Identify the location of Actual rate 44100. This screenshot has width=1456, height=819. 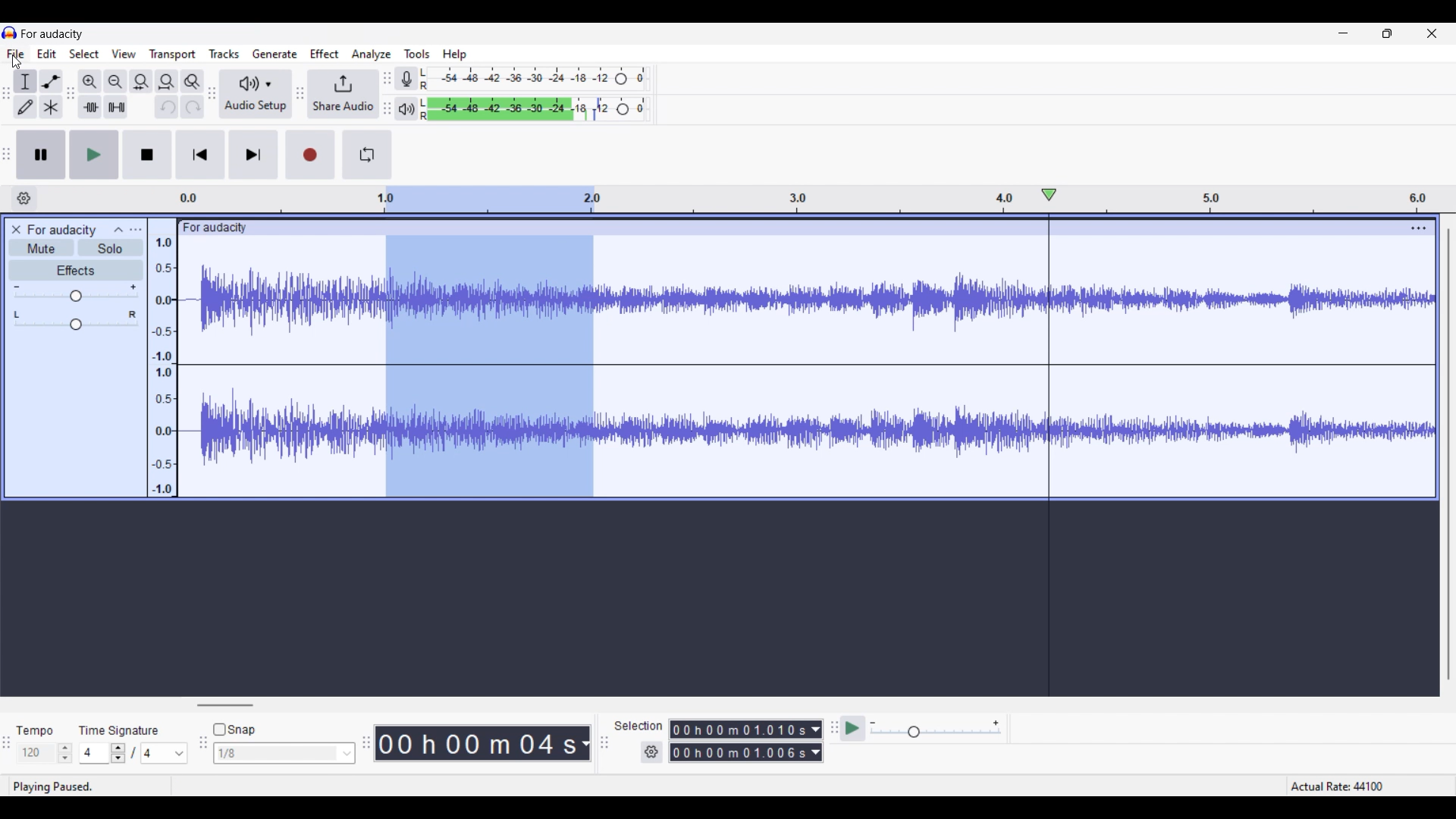
(1351, 770).